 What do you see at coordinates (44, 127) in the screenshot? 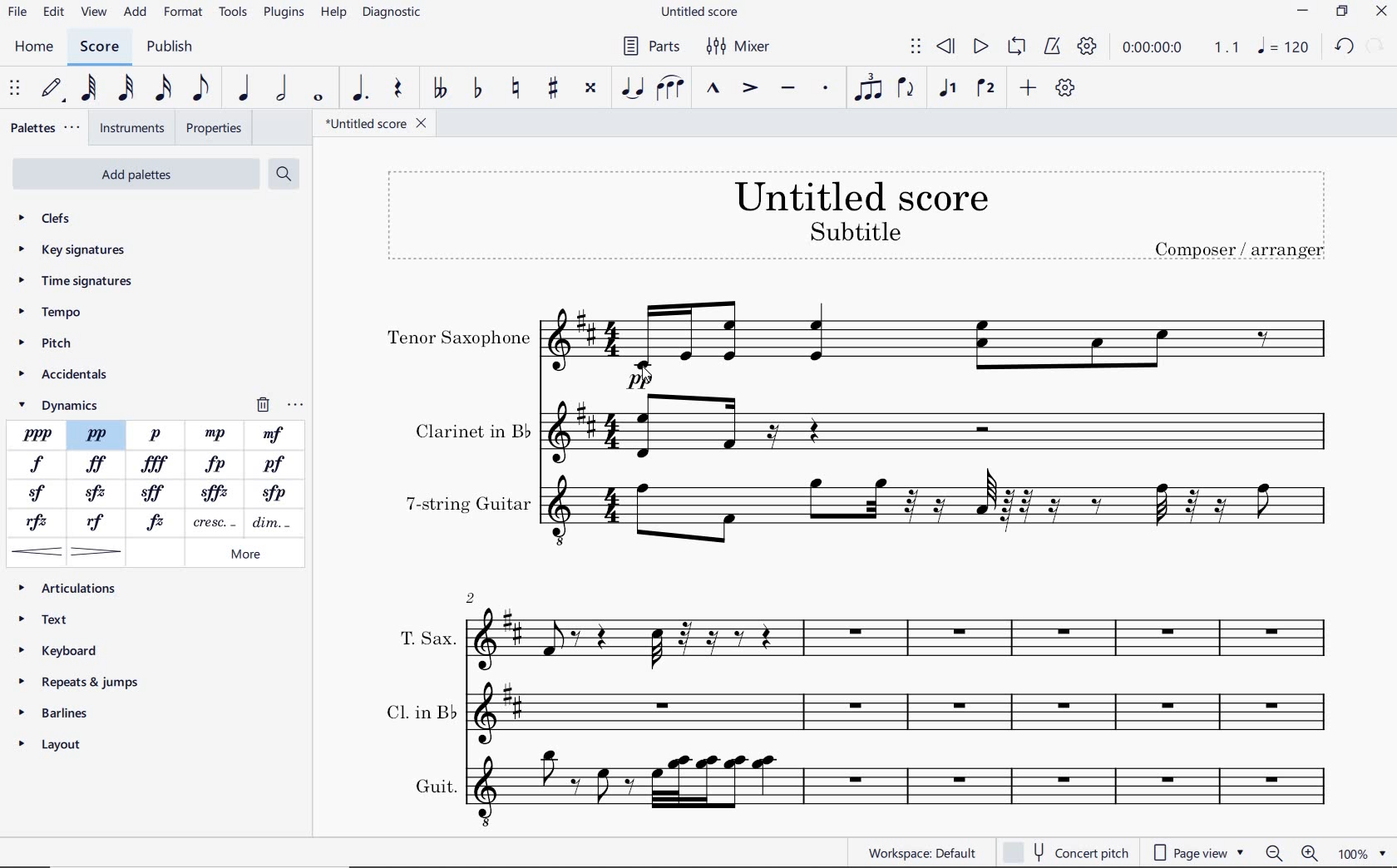
I see `palettes` at bounding box center [44, 127].